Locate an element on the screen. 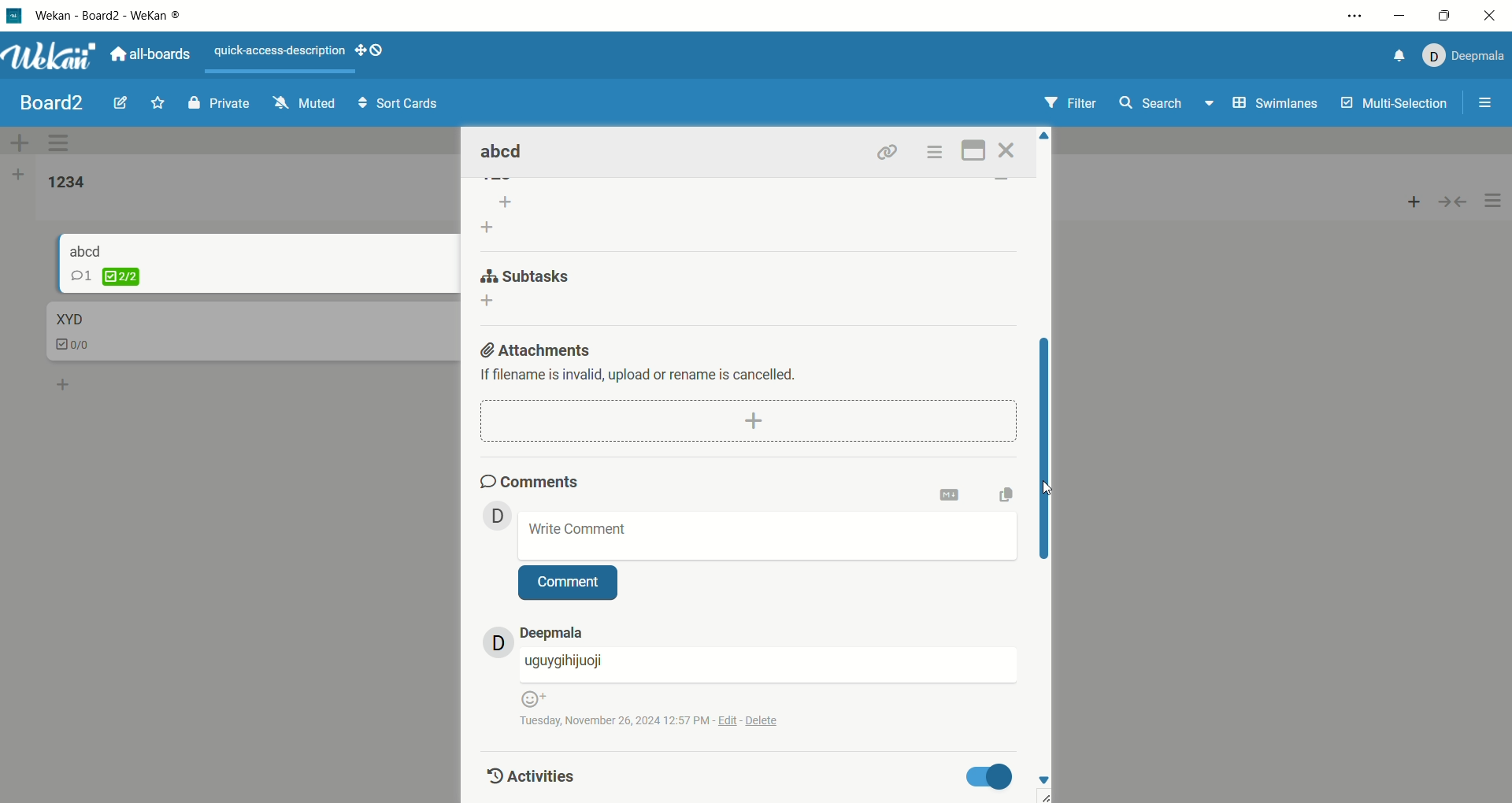  subtask is located at coordinates (528, 273).